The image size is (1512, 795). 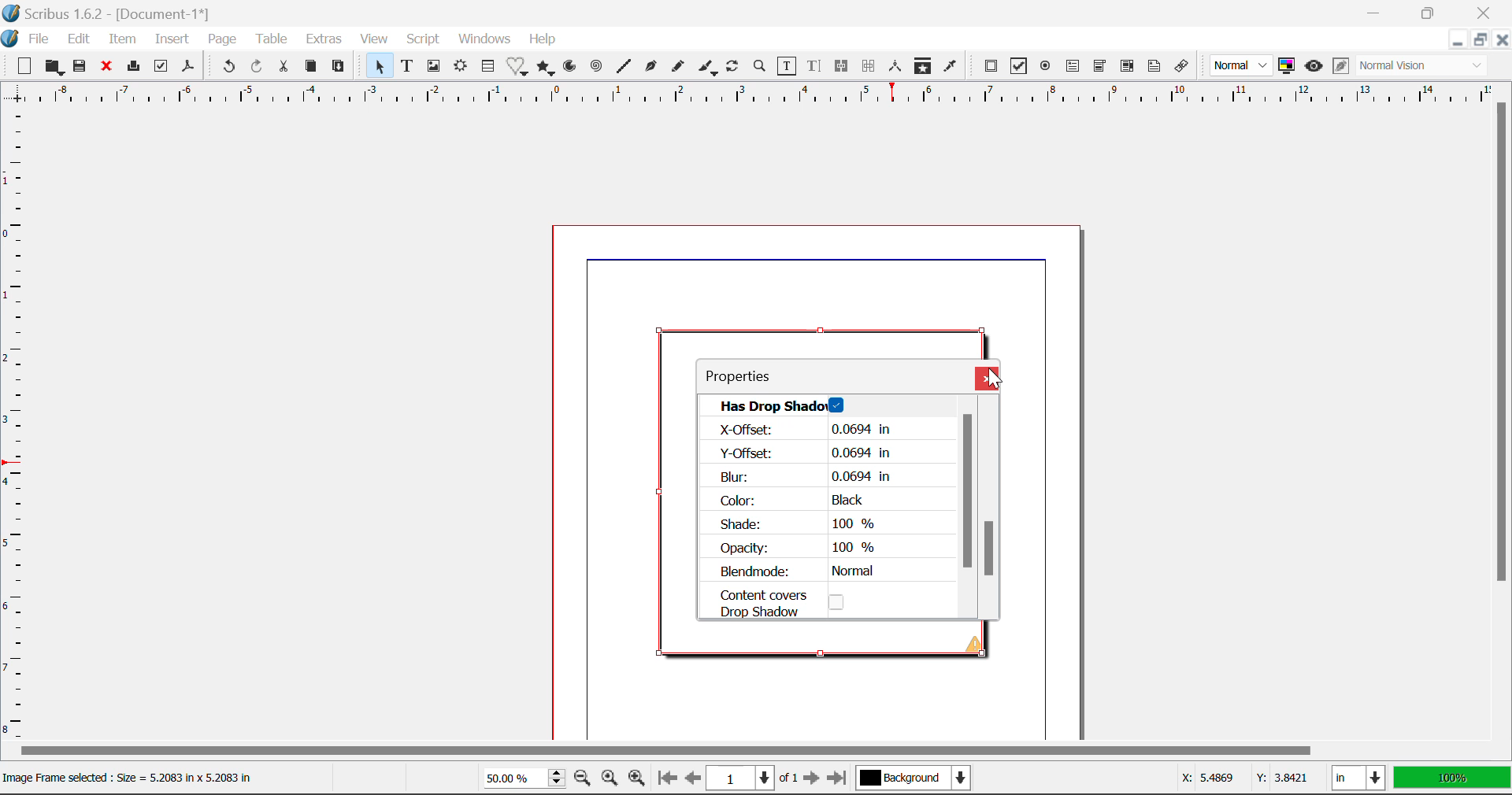 I want to click on Page, so click(x=222, y=41).